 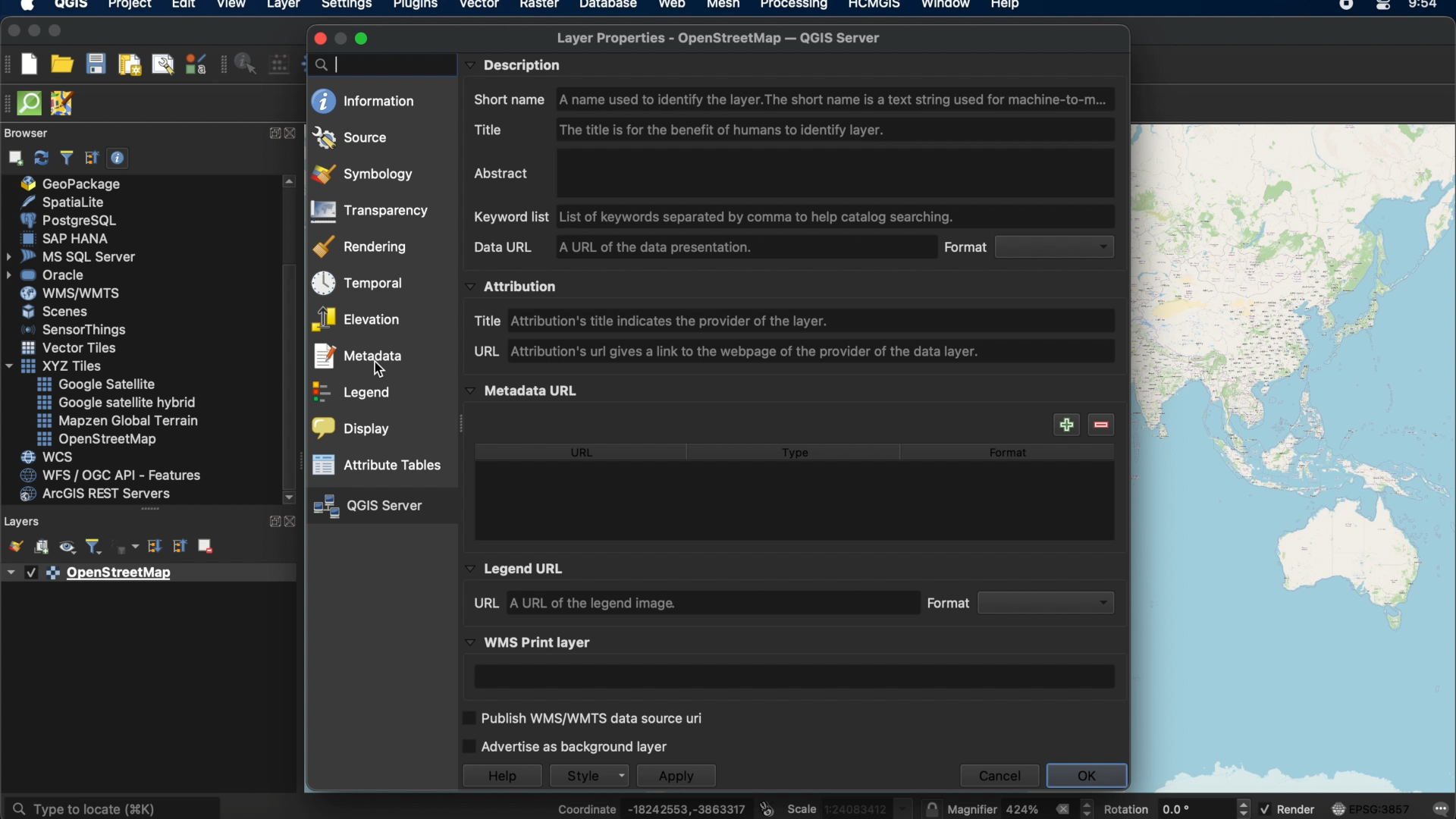 What do you see at coordinates (717, 216) in the screenshot?
I see `keywords list description` at bounding box center [717, 216].